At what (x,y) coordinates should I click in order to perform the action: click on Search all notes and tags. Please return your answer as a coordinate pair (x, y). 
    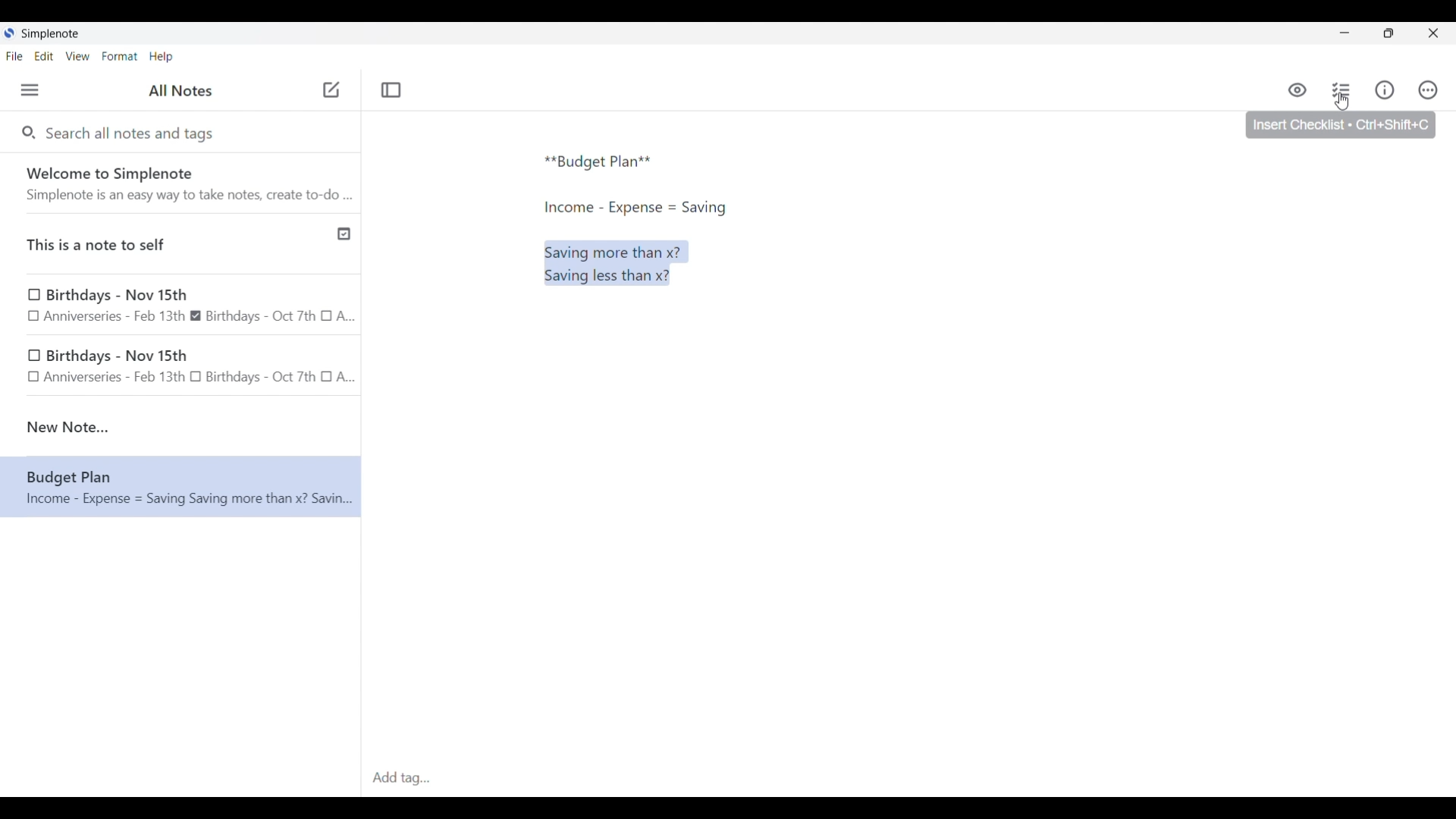
    Looking at the image, I should click on (133, 132).